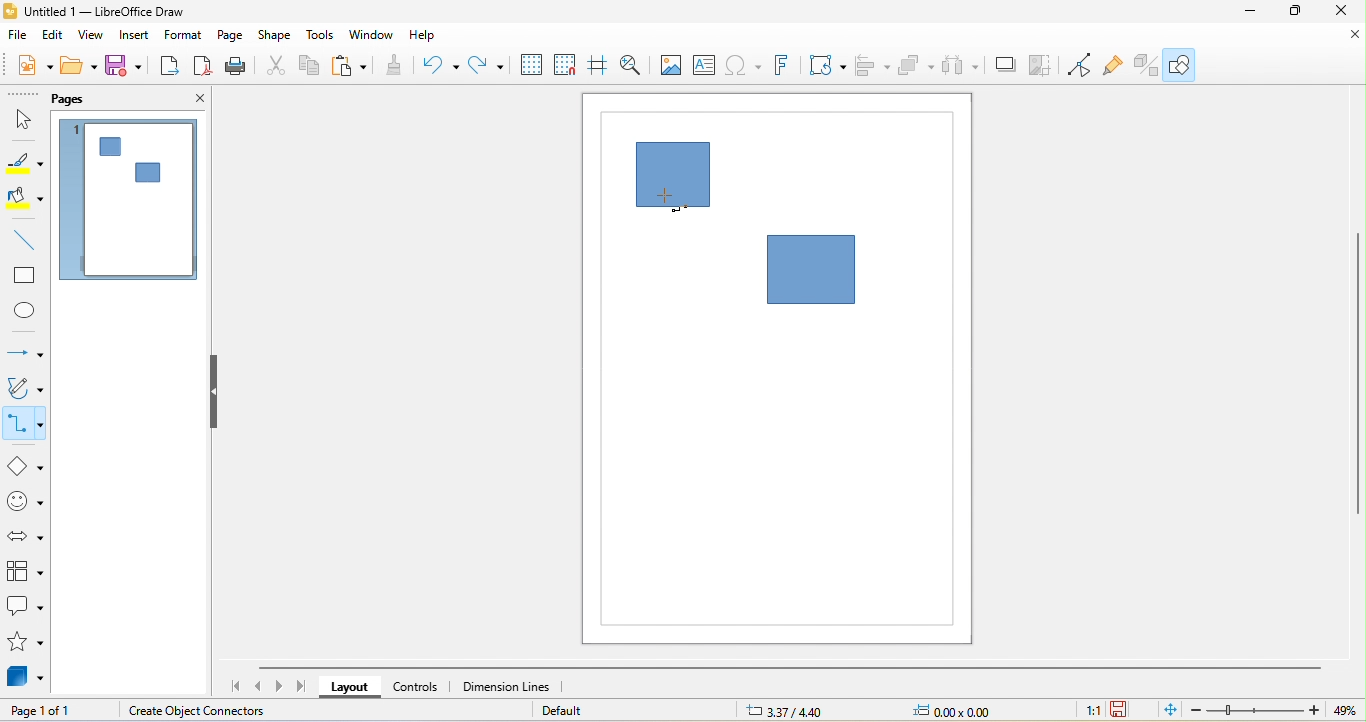 The width and height of the screenshot is (1366, 722). I want to click on view, so click(92, 36).